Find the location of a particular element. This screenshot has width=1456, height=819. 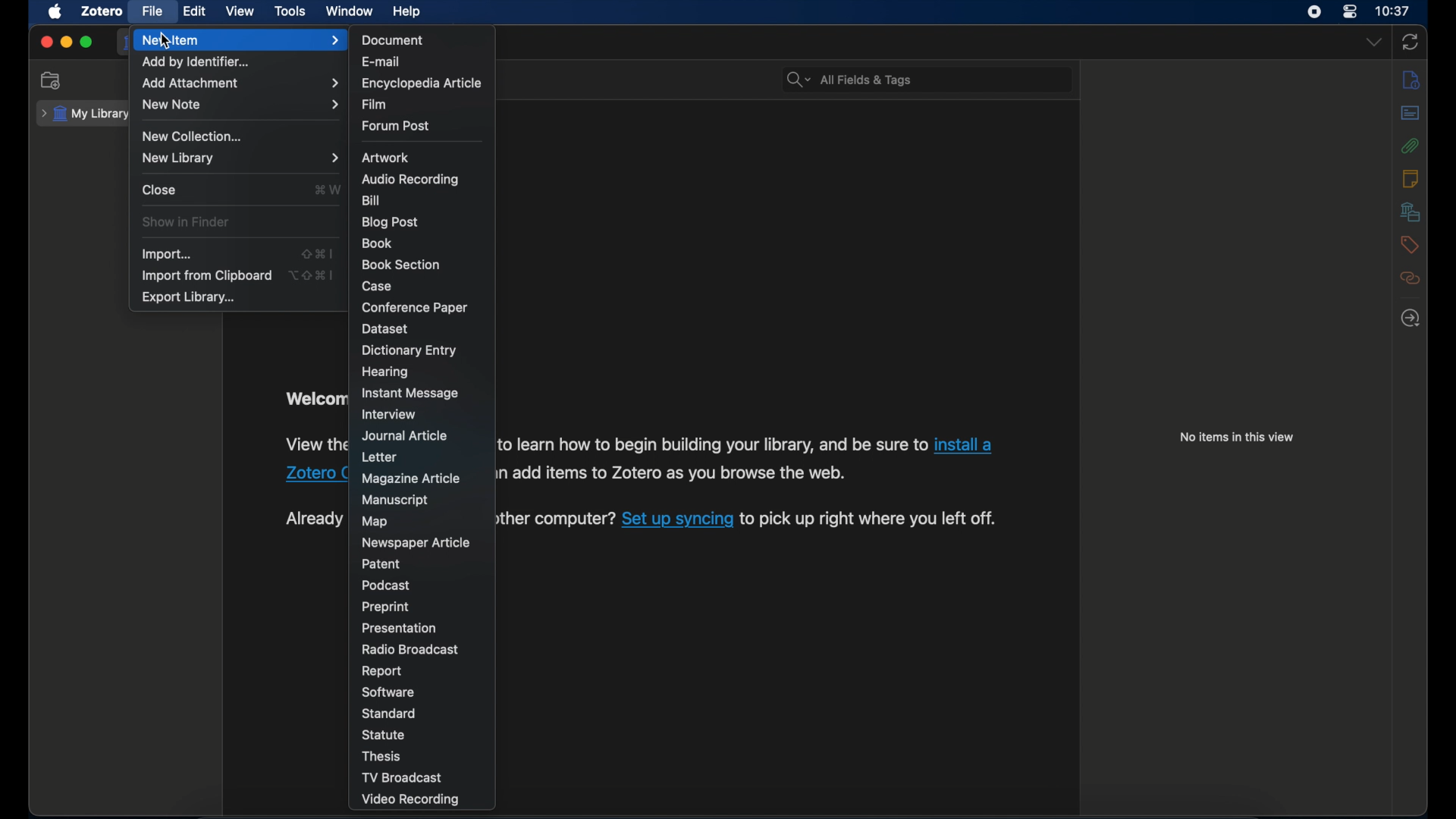

software information is located at coordinates (677, 473).